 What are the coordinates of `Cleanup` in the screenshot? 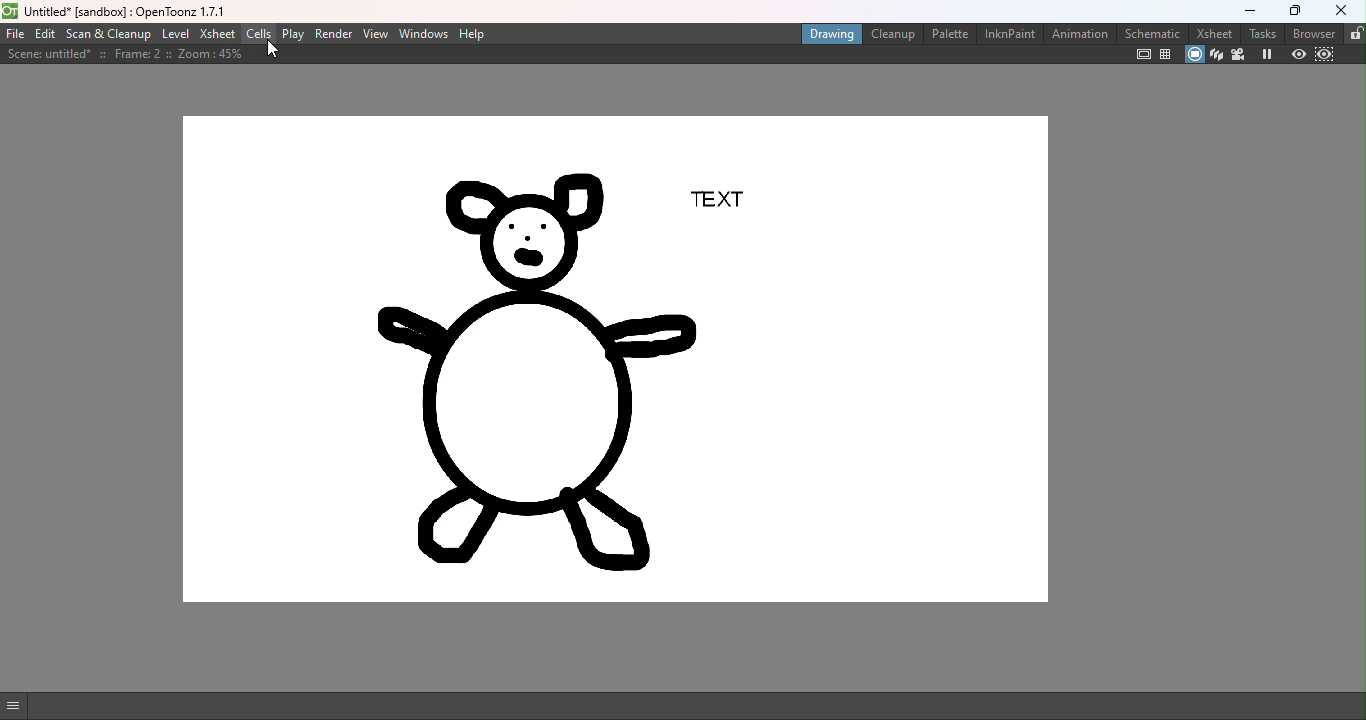 It's located at (891, 34).